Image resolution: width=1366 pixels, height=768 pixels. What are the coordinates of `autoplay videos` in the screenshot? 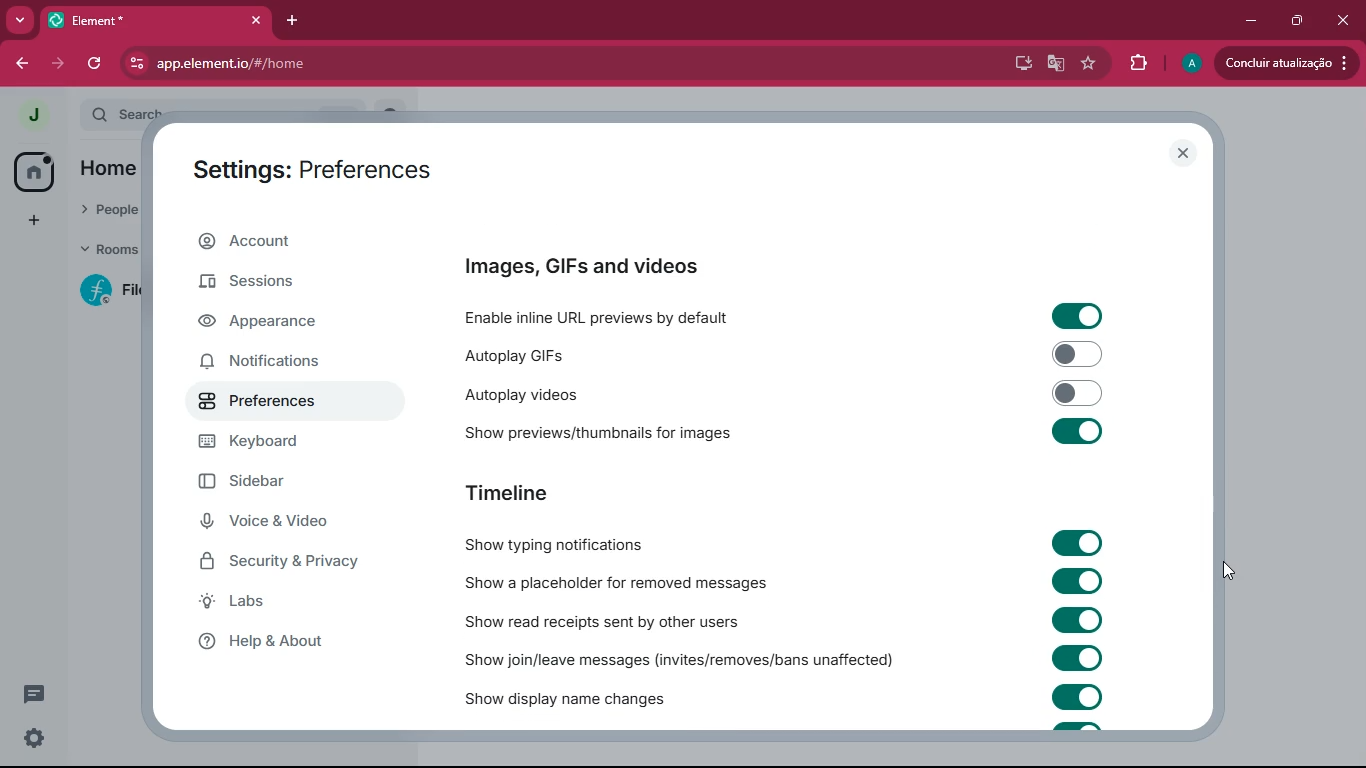 It's located at (629, 392).